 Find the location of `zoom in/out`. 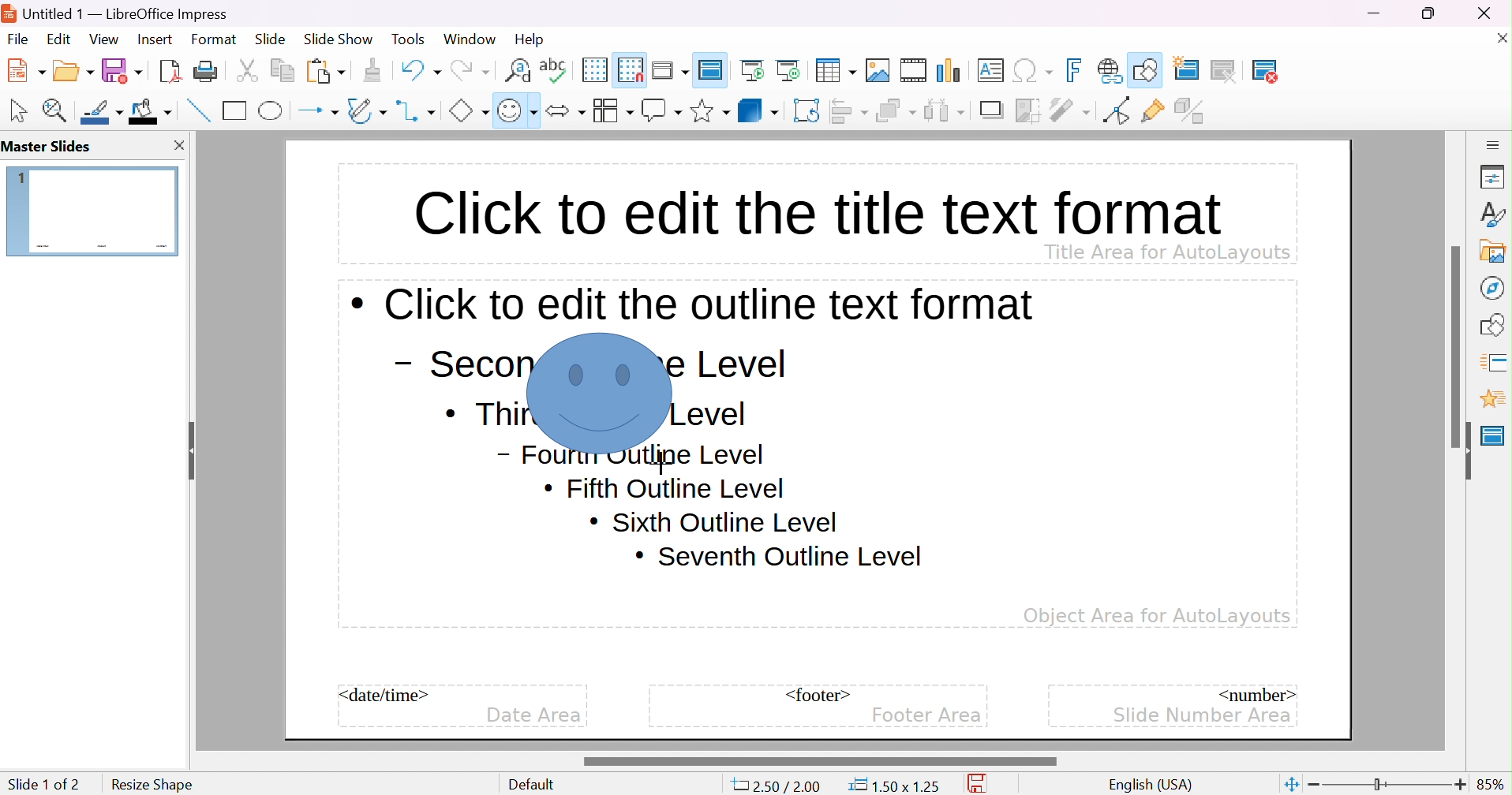

zoom in/out is located at coordinates (1387, 785).